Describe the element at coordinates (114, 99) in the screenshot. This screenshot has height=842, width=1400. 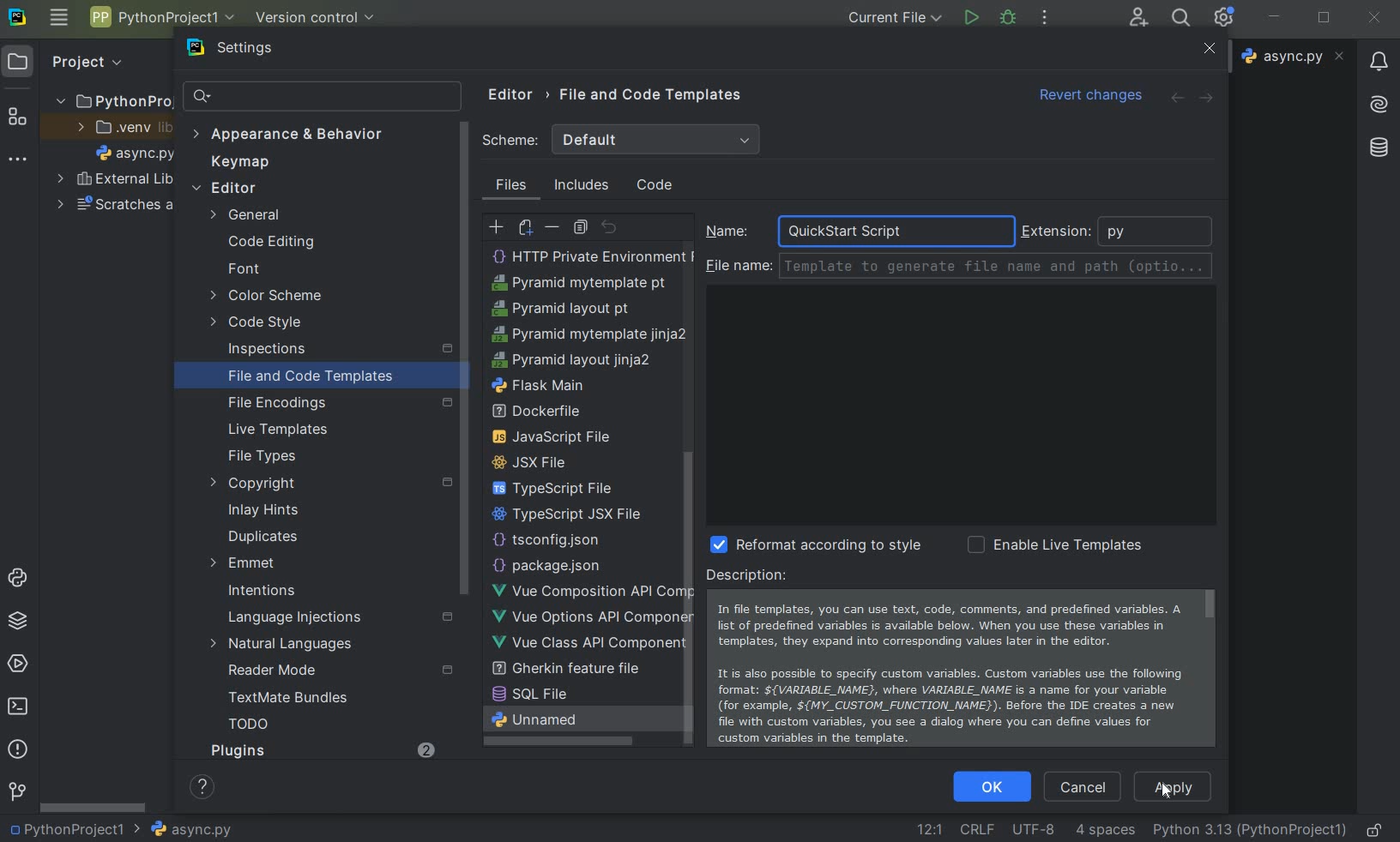
I see `project name` at that location.